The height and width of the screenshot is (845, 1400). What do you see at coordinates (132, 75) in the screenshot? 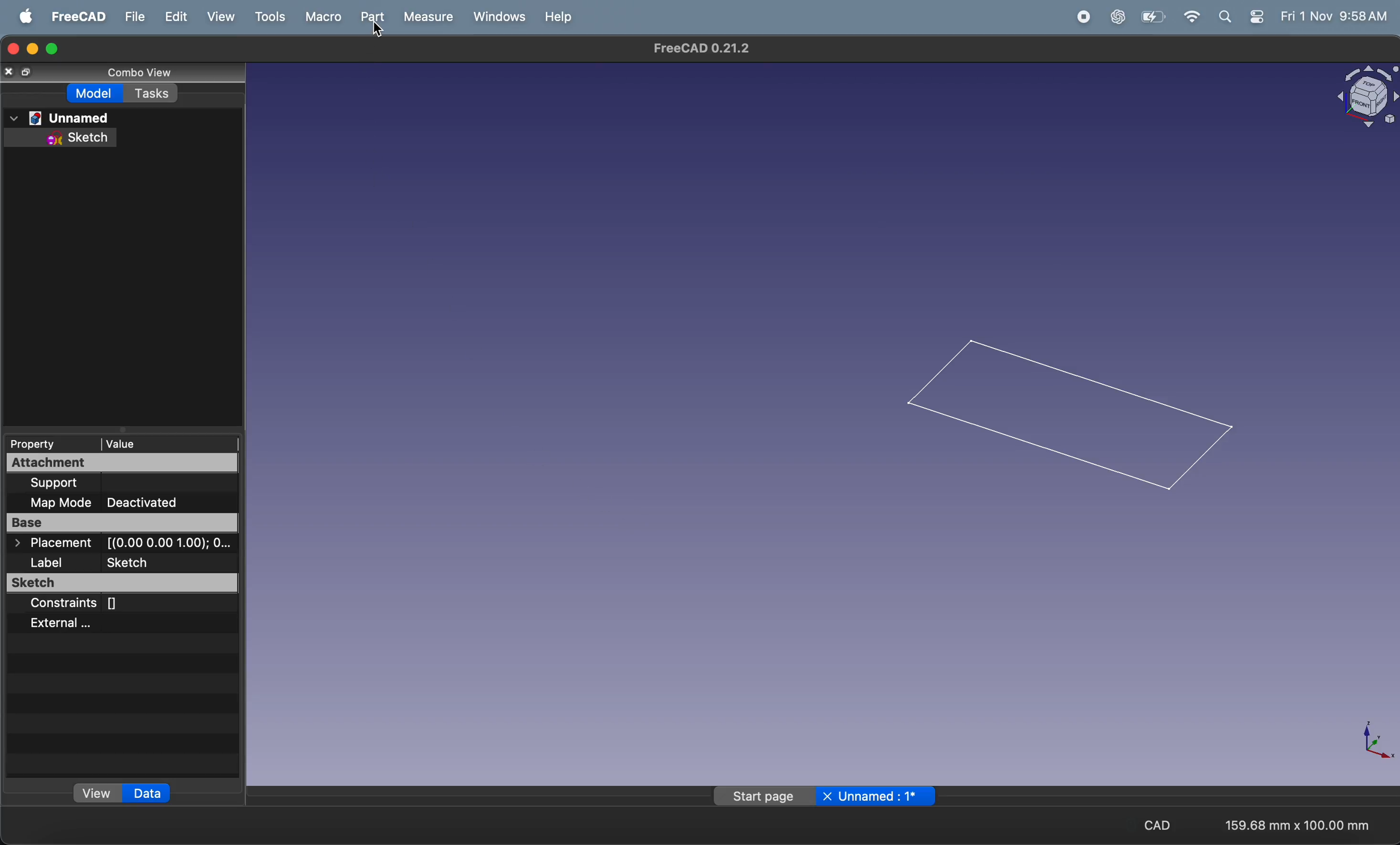
I see `combo view` at bounding box center [132, 75].